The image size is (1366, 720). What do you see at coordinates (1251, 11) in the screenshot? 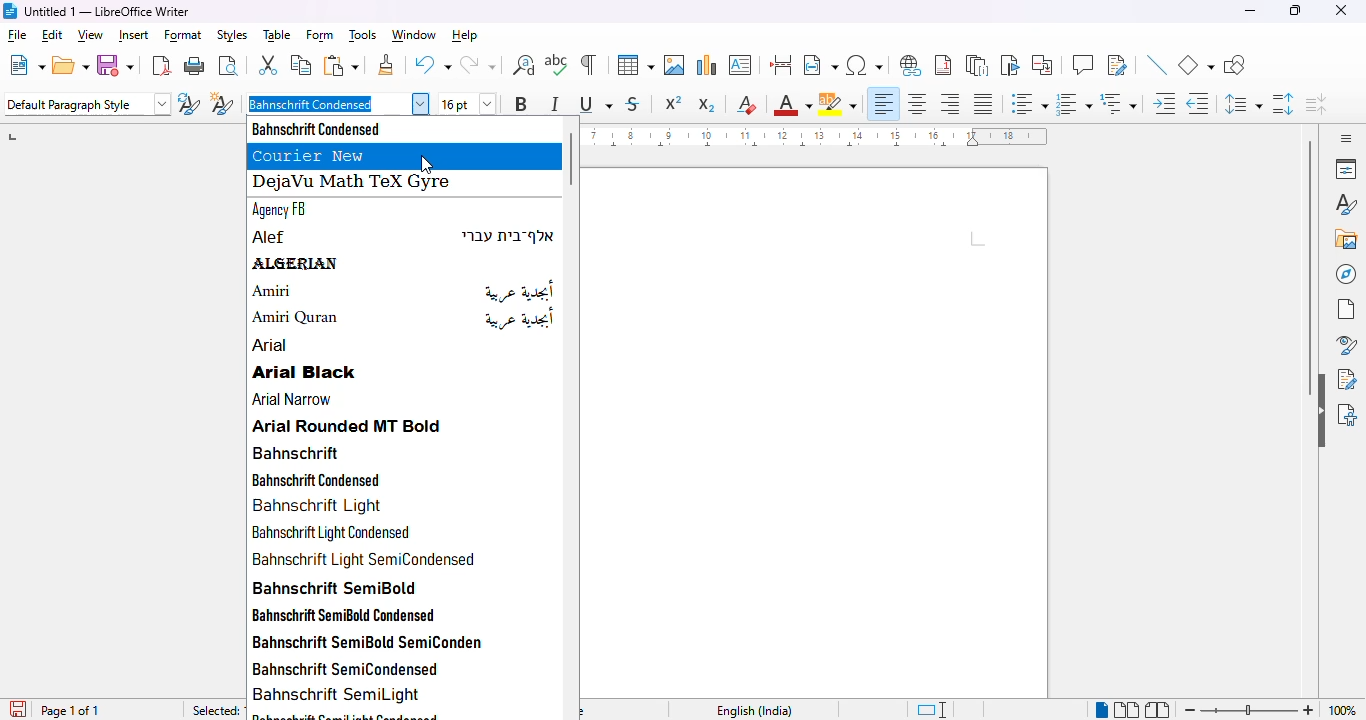
I see `minimize` at bounding box center [1251, 11].